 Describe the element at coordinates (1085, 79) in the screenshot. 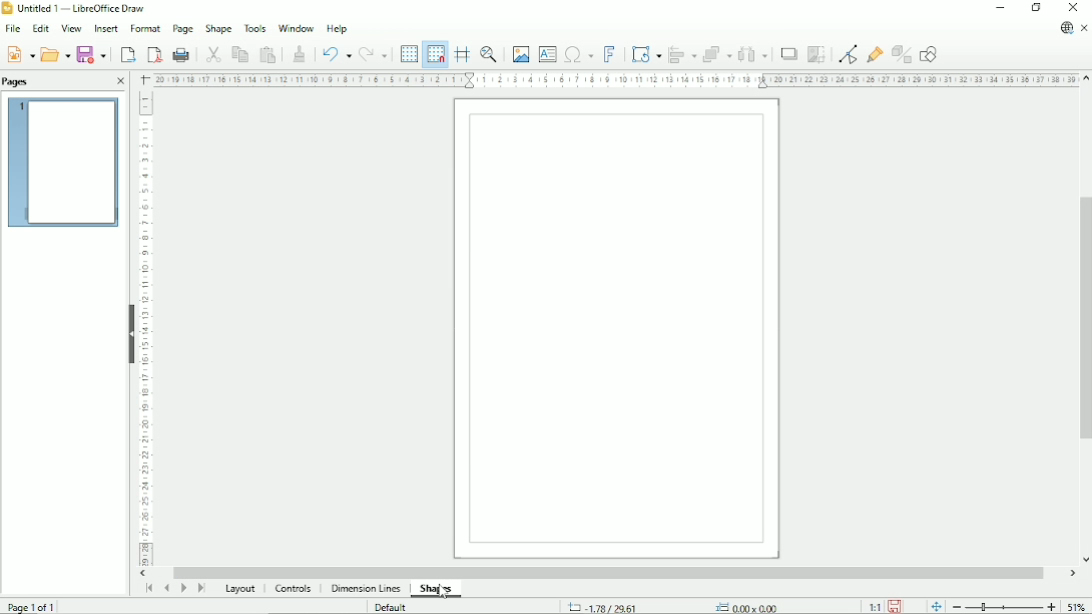

I see `Vertical scroll button` at that location.